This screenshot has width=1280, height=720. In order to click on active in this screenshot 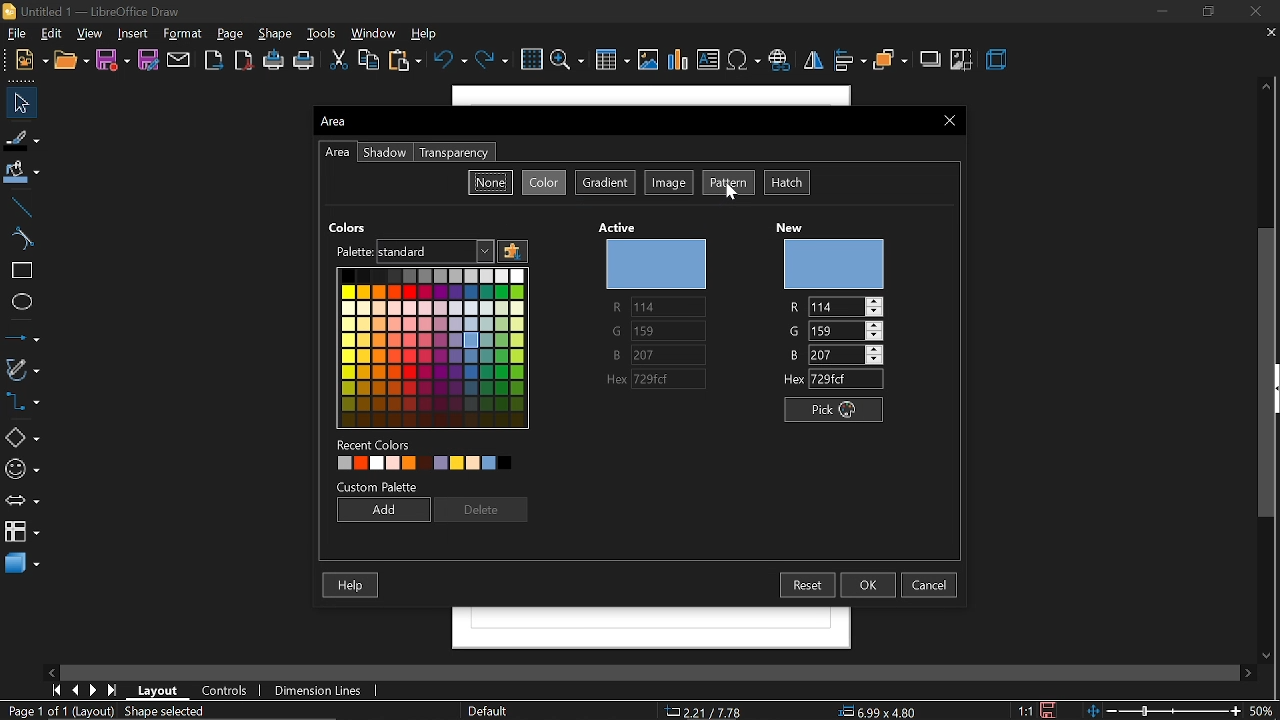, I will do `click(618, 224)`.